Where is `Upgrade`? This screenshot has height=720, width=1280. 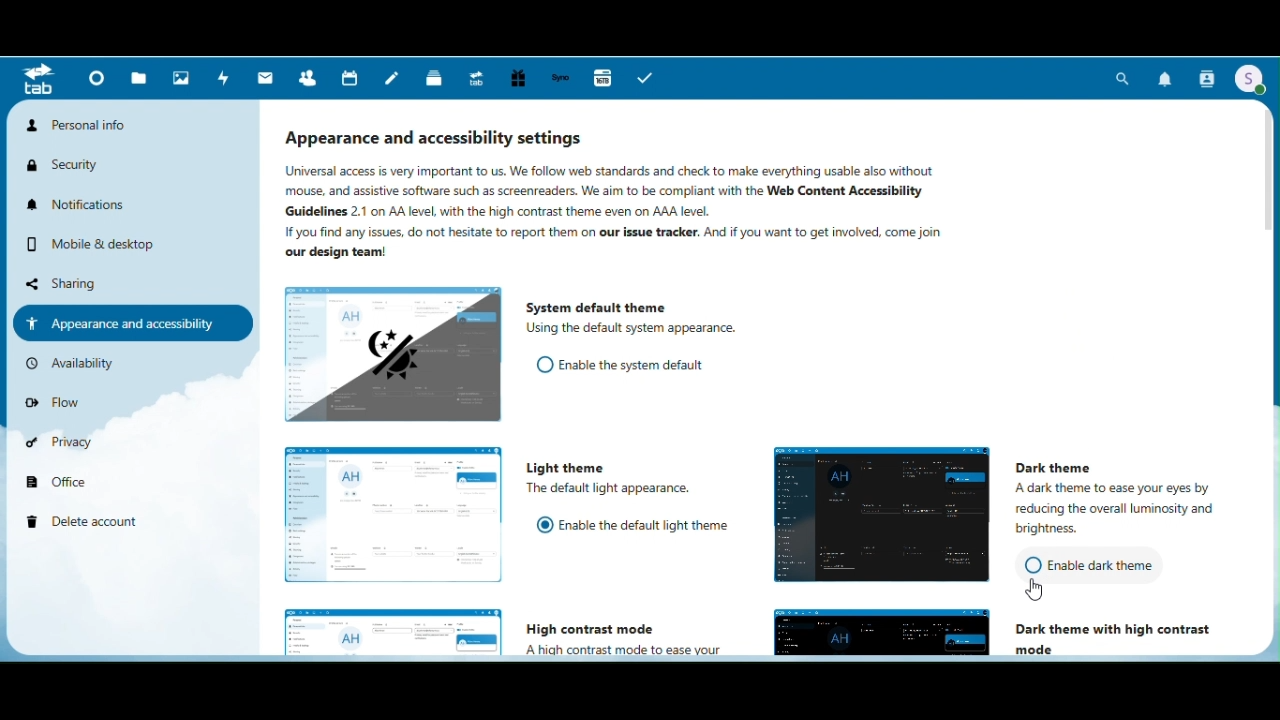
Upgrade is located at coordinates (480, 79).